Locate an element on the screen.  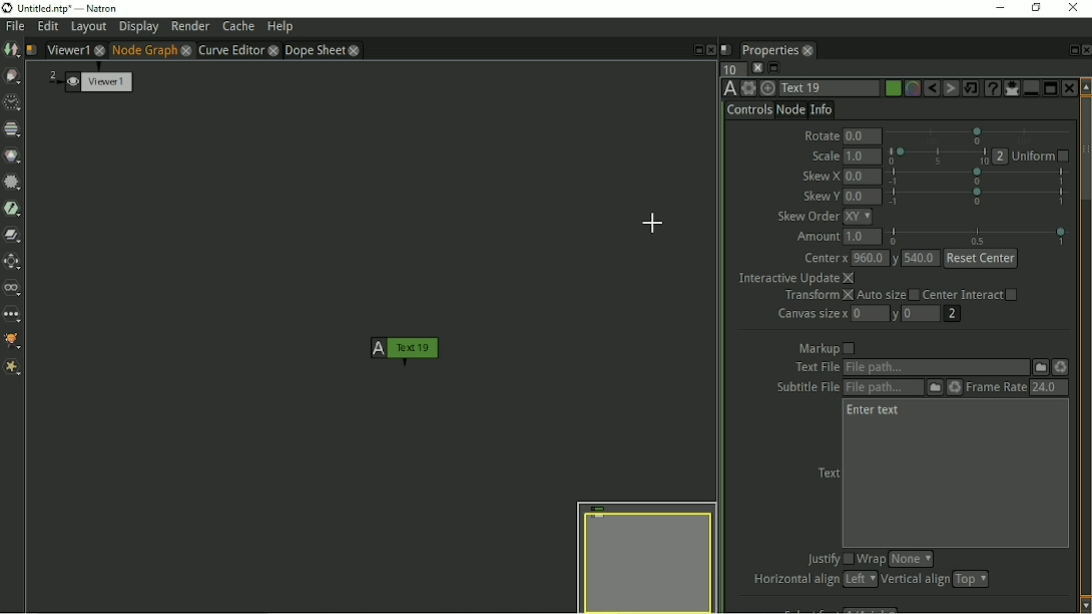
Node Graph is located at coordinates (144, 50).